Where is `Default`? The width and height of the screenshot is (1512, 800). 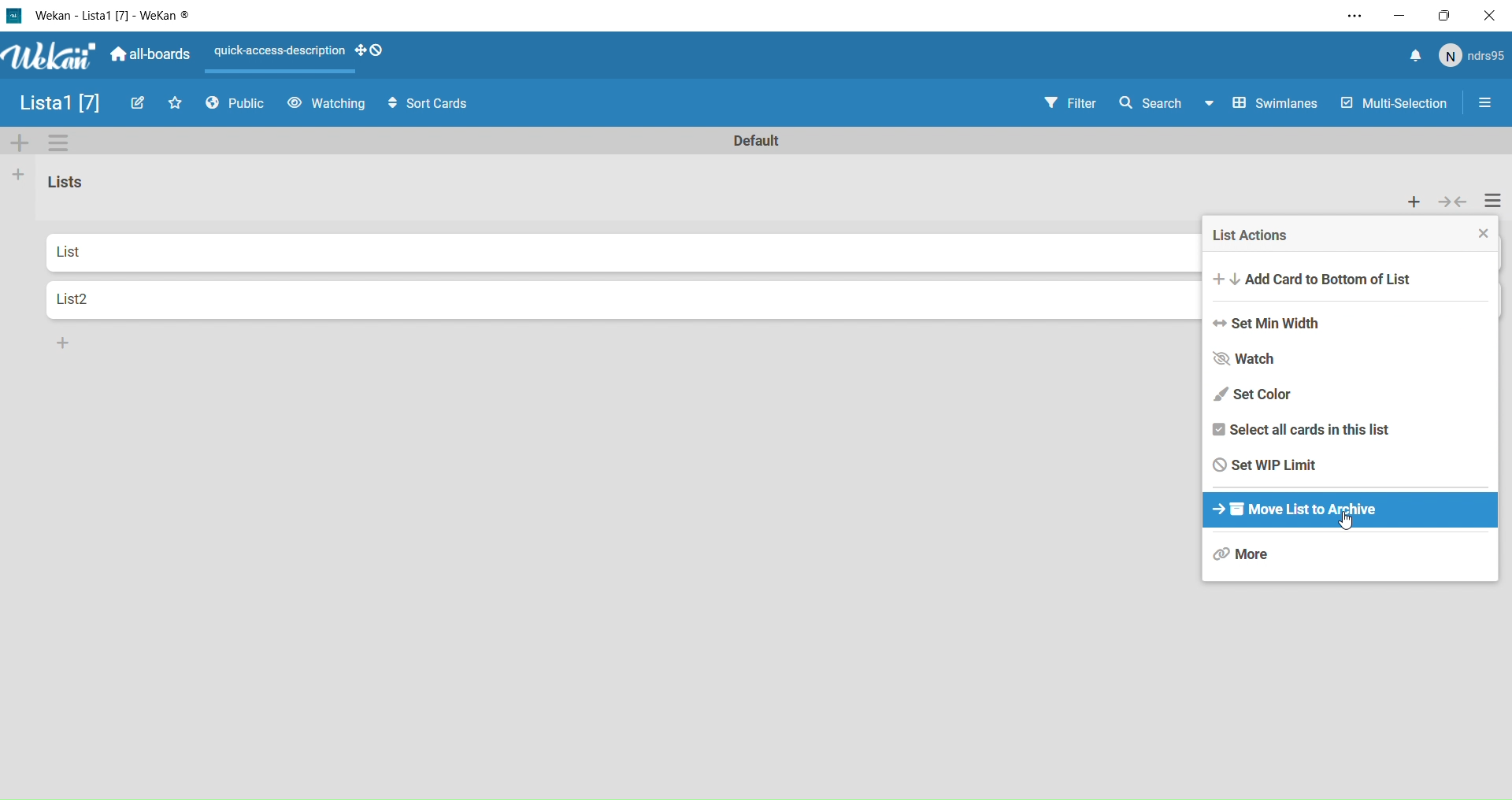
Default is located at coordinates (752, 143).